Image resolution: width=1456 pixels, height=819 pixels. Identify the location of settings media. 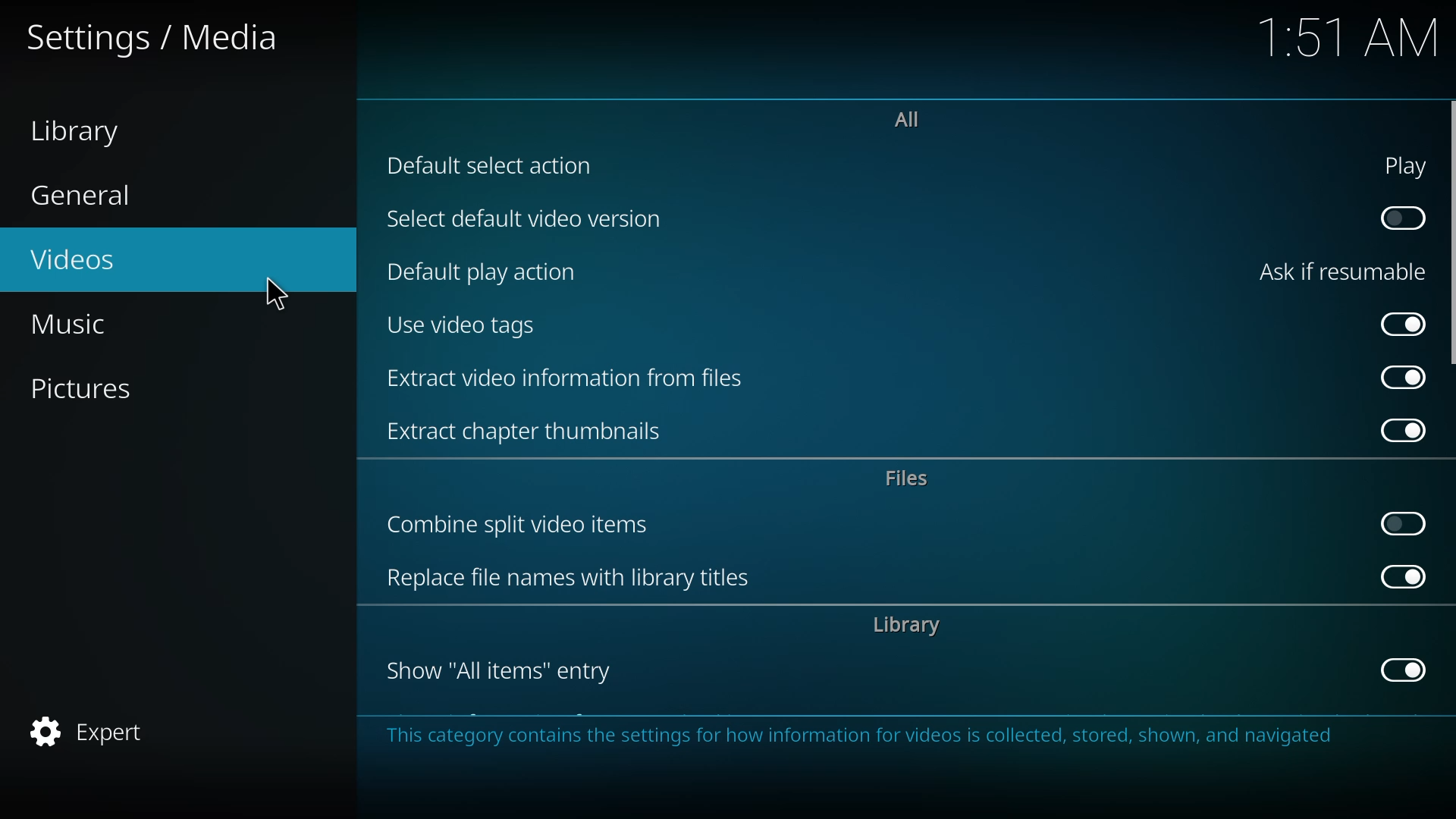
(153, 38).